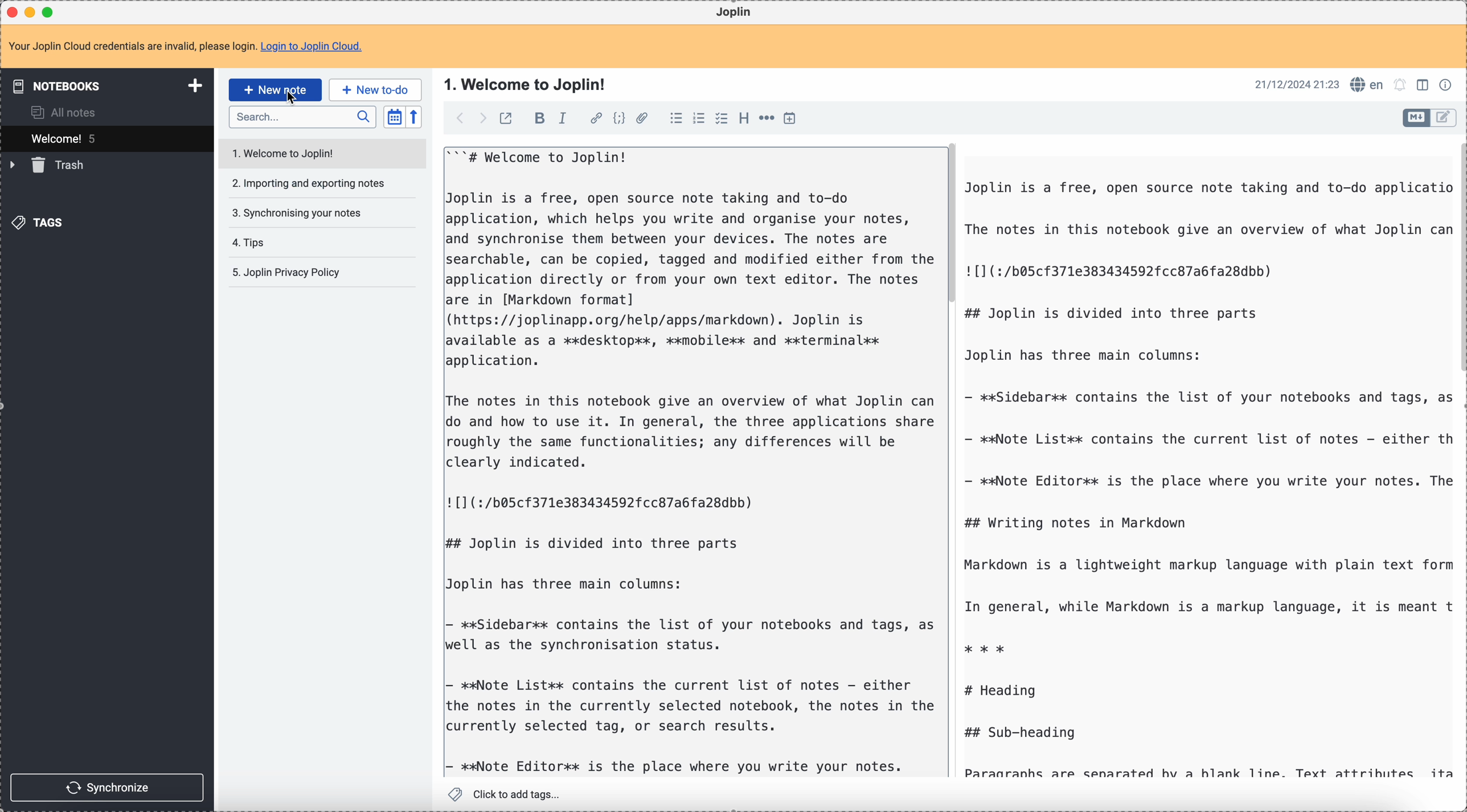 The height and width of the screenshot is (812, 1467). Describe the element at coordinates (40, 222) in the screenshot. I see `tags` at that location.